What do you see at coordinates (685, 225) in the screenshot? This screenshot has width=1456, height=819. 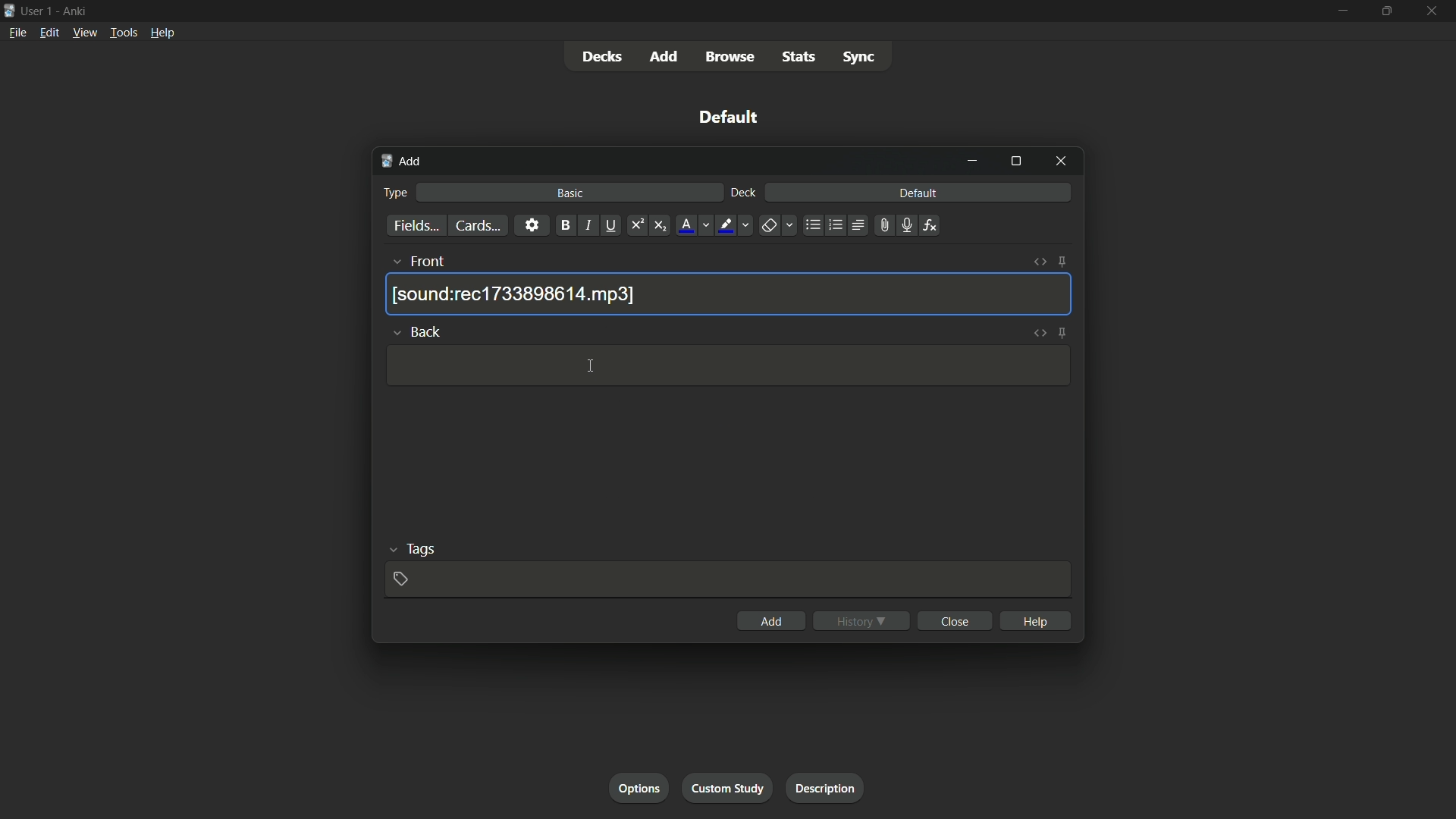 I see `font color` at bounding box center [685, 225].